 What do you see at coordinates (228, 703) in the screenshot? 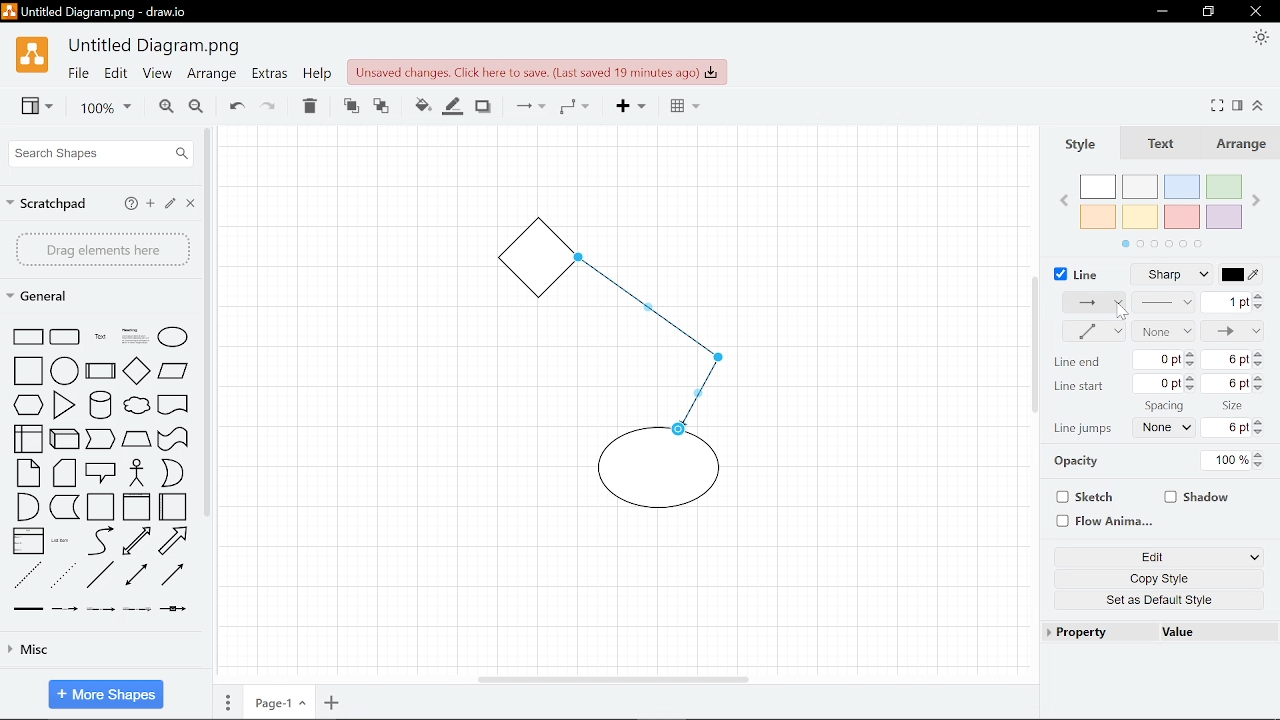
I see `pages` at bounding box center [228, 703].